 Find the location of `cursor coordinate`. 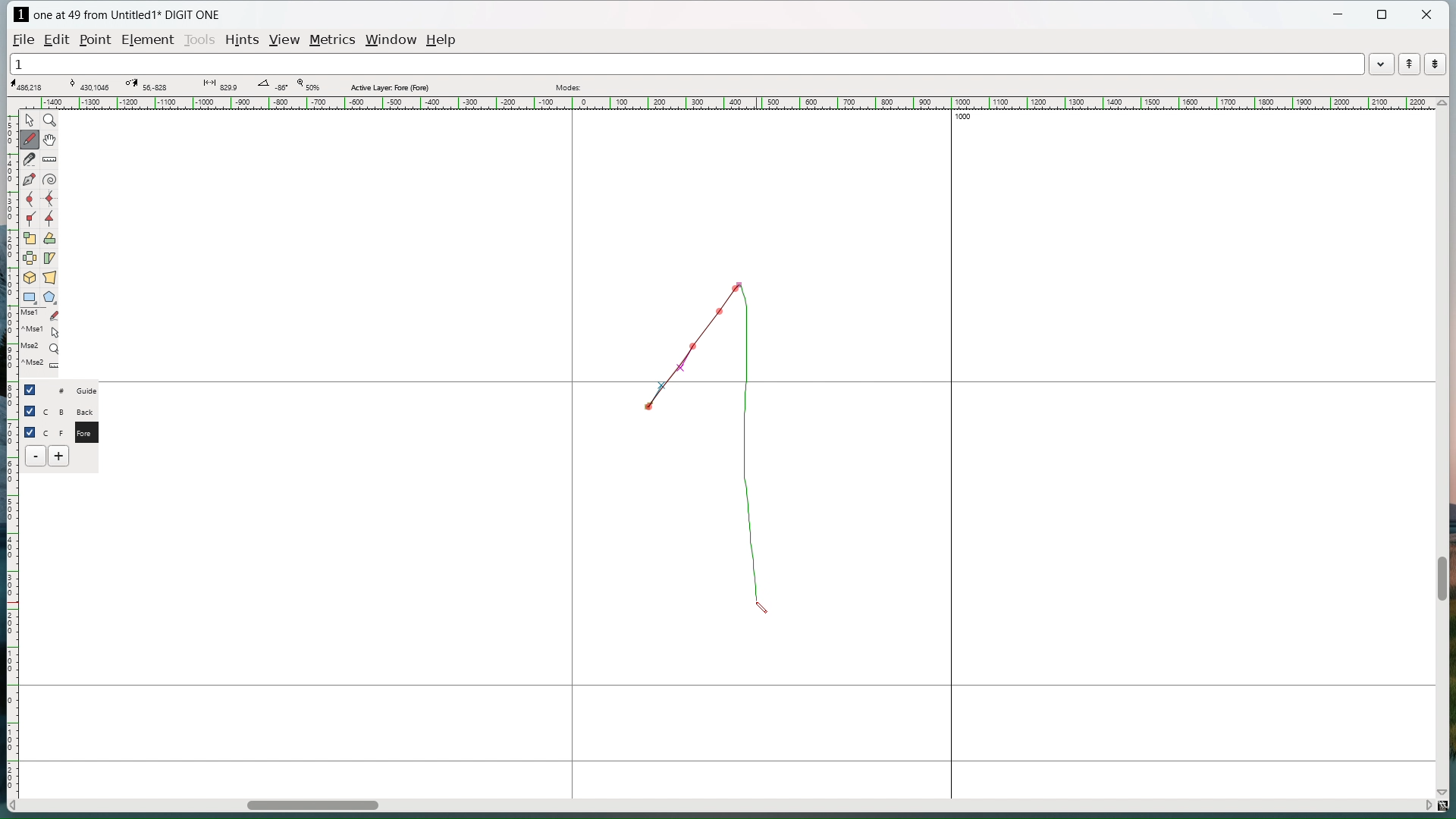

cursor coordinate is located at coordinates (31, 85).